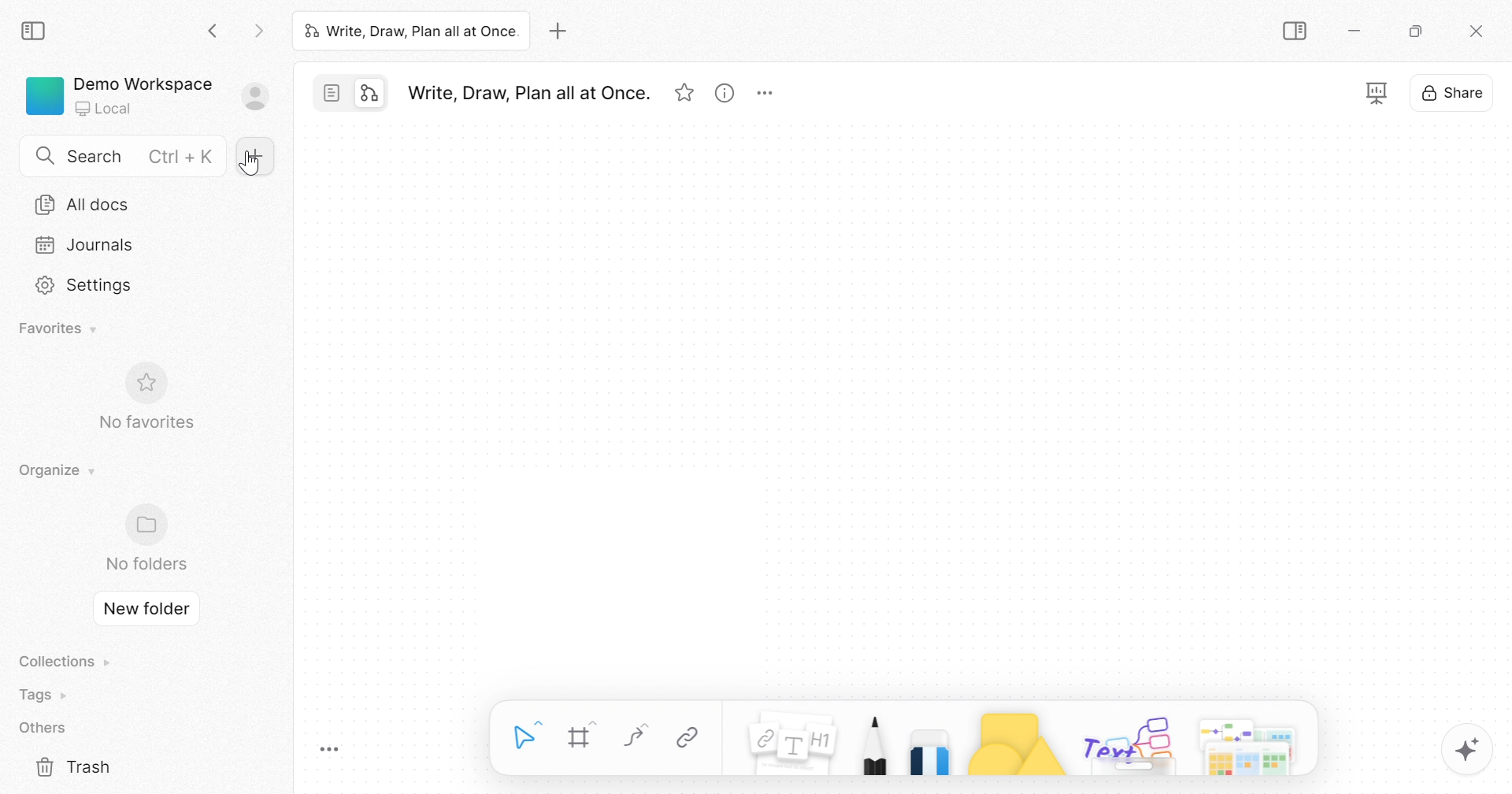 This screenshot has height=794, width=1512. Describe the element at coordinates (928, 744) in the screenshot. I see `Eraser` at that location.